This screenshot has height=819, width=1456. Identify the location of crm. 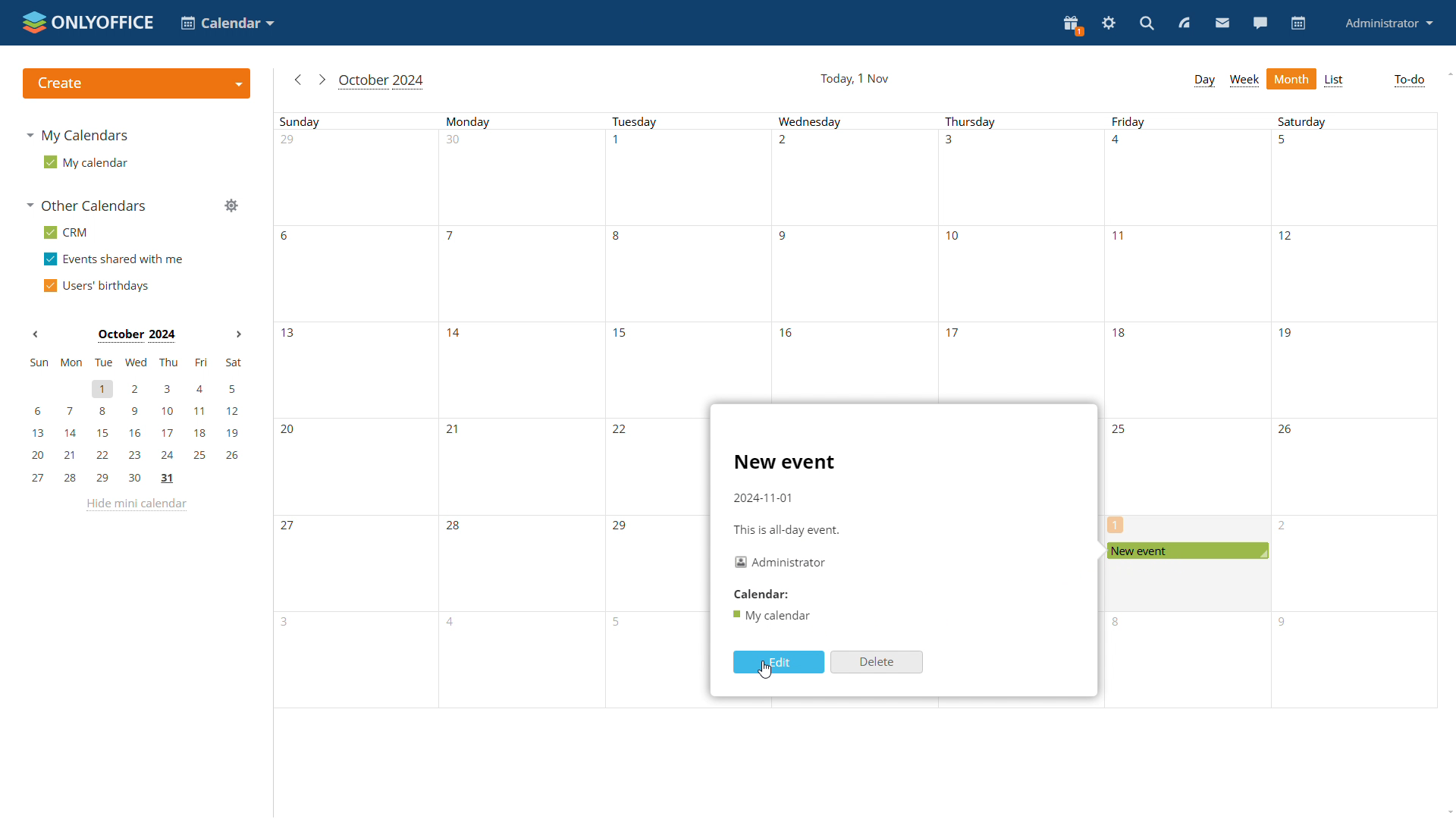
(67, 232).